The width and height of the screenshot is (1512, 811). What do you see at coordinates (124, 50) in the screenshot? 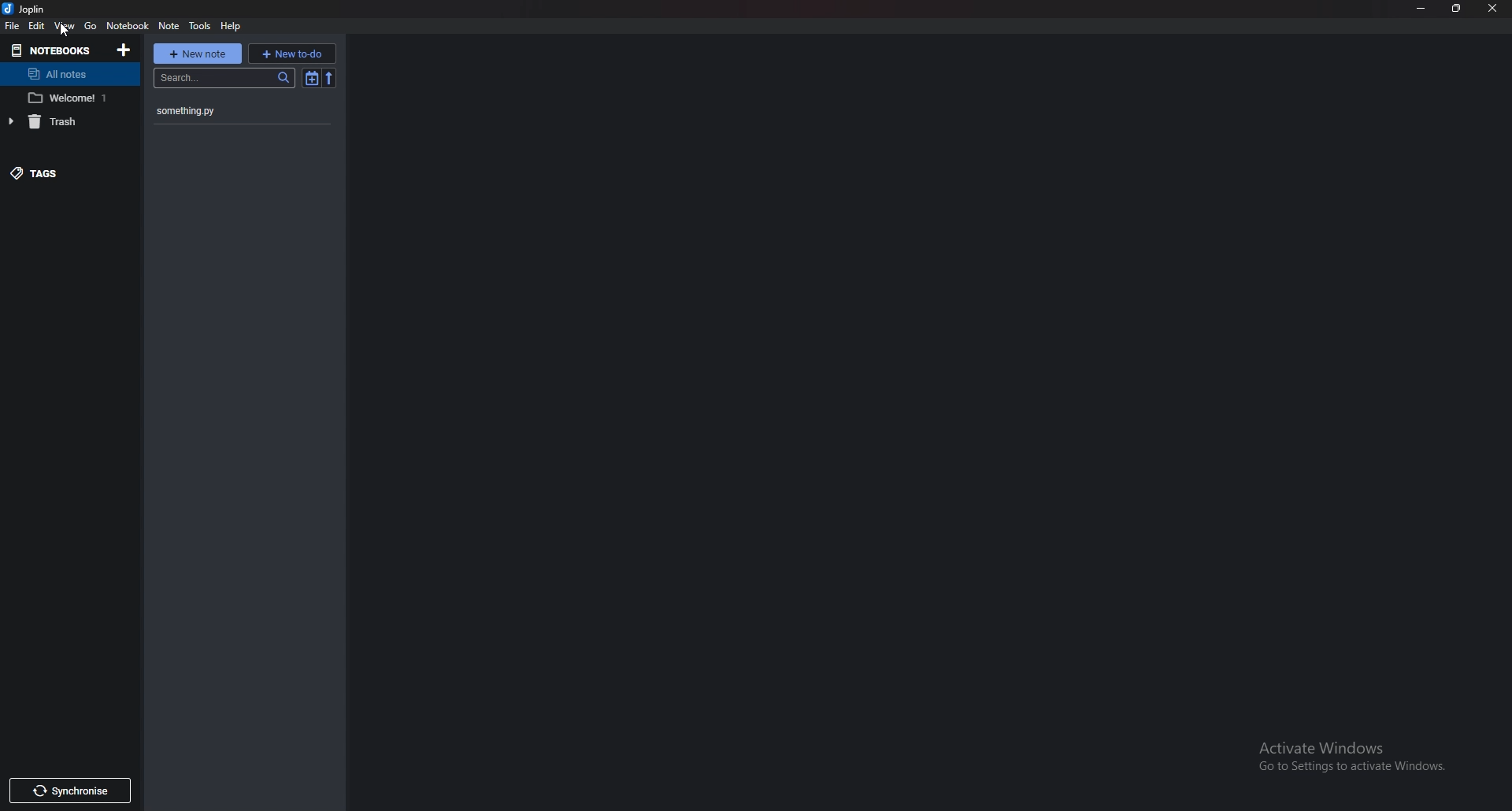
I see `Add notebooks` at bounding box center [124, 50].